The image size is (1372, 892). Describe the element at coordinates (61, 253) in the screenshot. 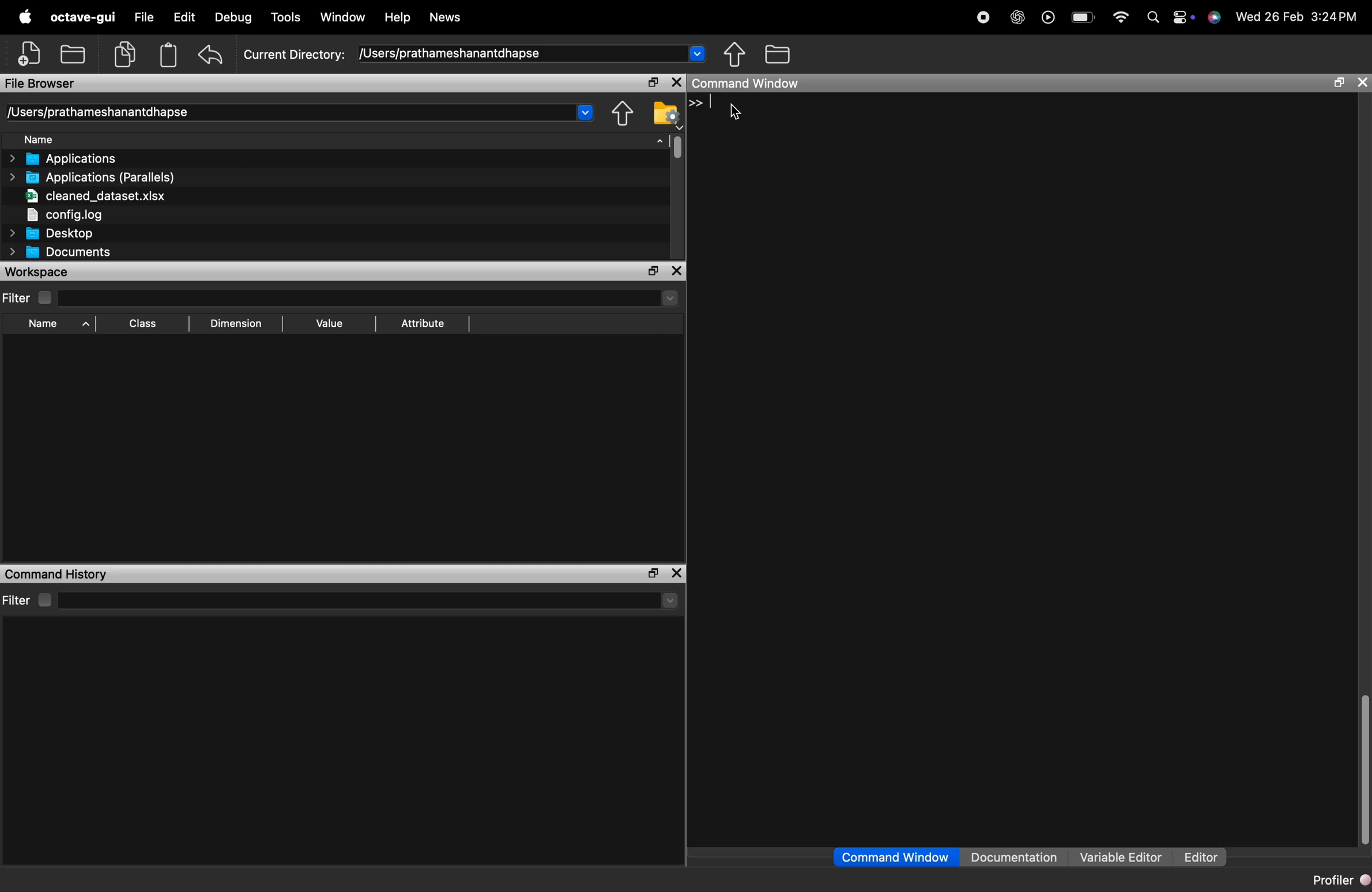

I see `Documents` at that location.